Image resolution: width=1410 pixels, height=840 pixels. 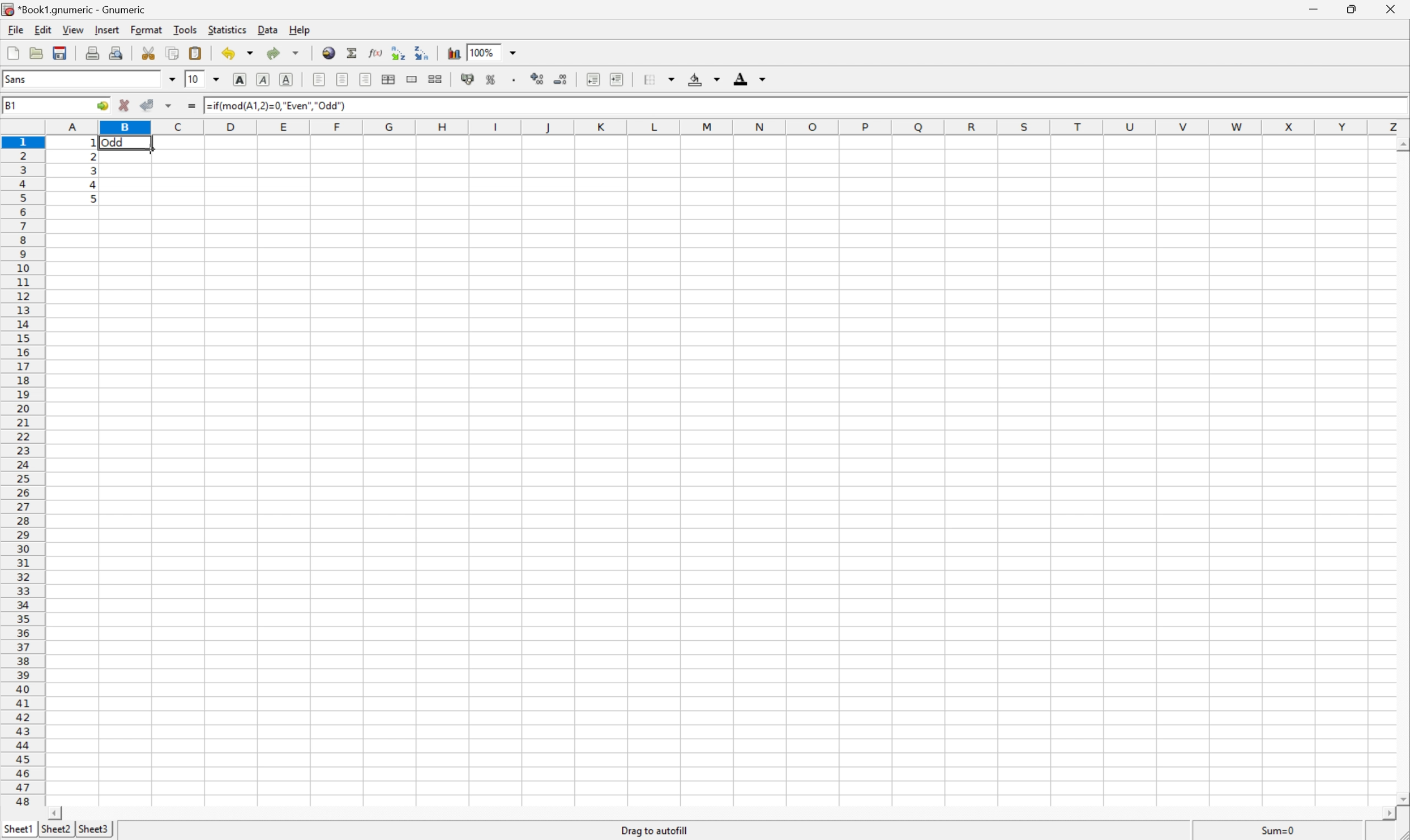 What do you see at coordinates (239, 53) in the screenshot?
I see `Undo` at bounding box center [239, 53].